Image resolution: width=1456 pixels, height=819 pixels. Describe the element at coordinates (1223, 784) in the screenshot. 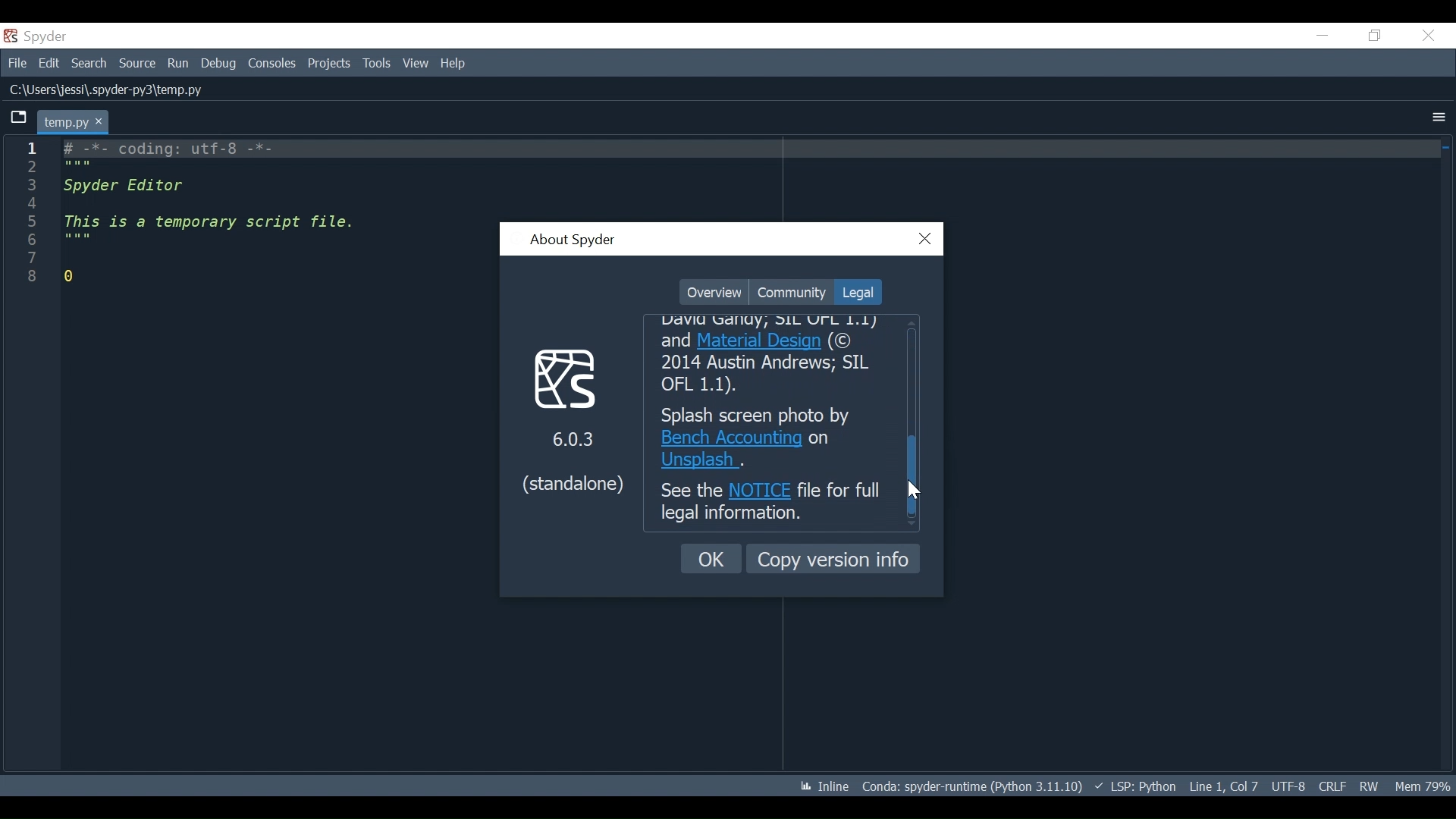

I see `Line 1, Col 7` at that location.